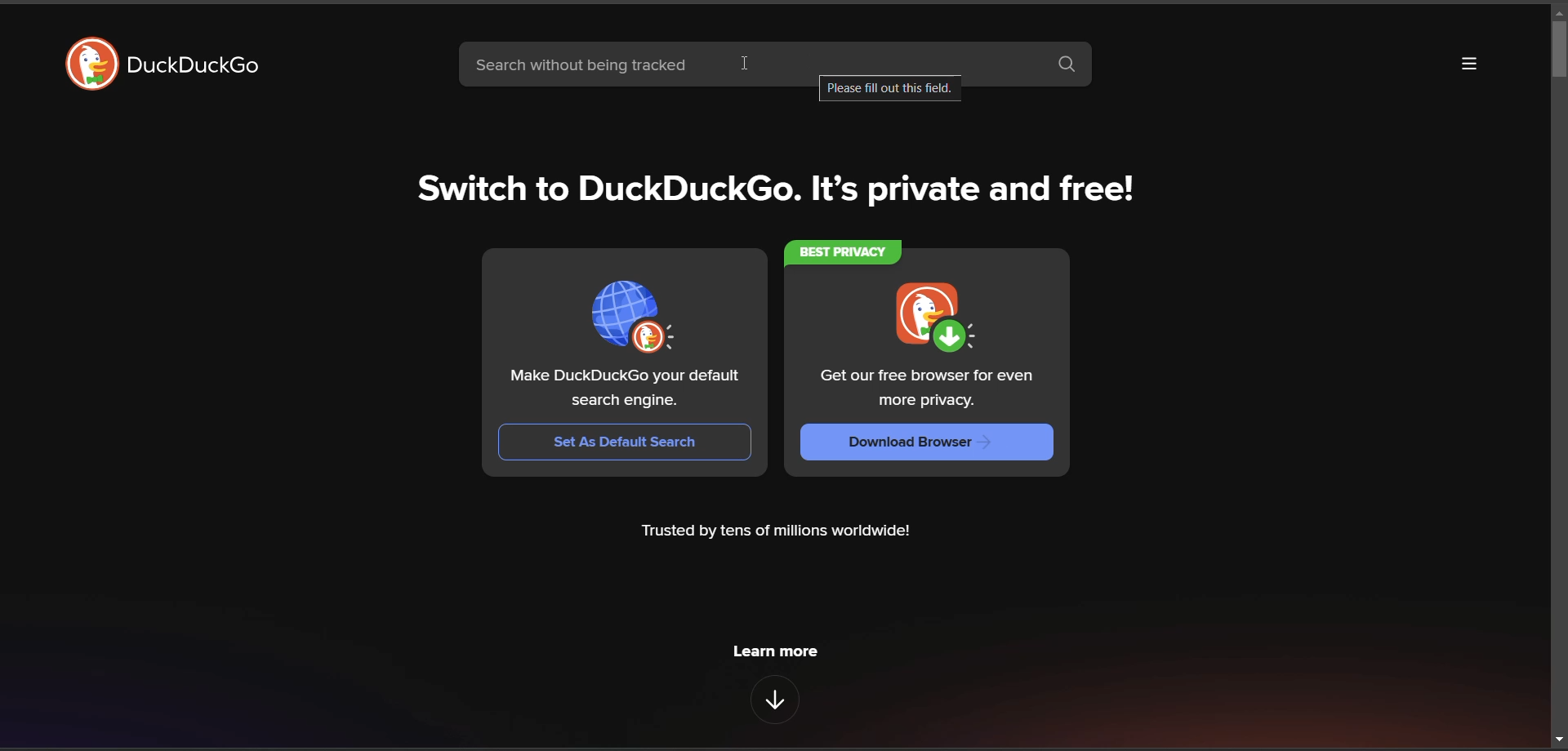  I want to click on search button, so click(1067, 64).